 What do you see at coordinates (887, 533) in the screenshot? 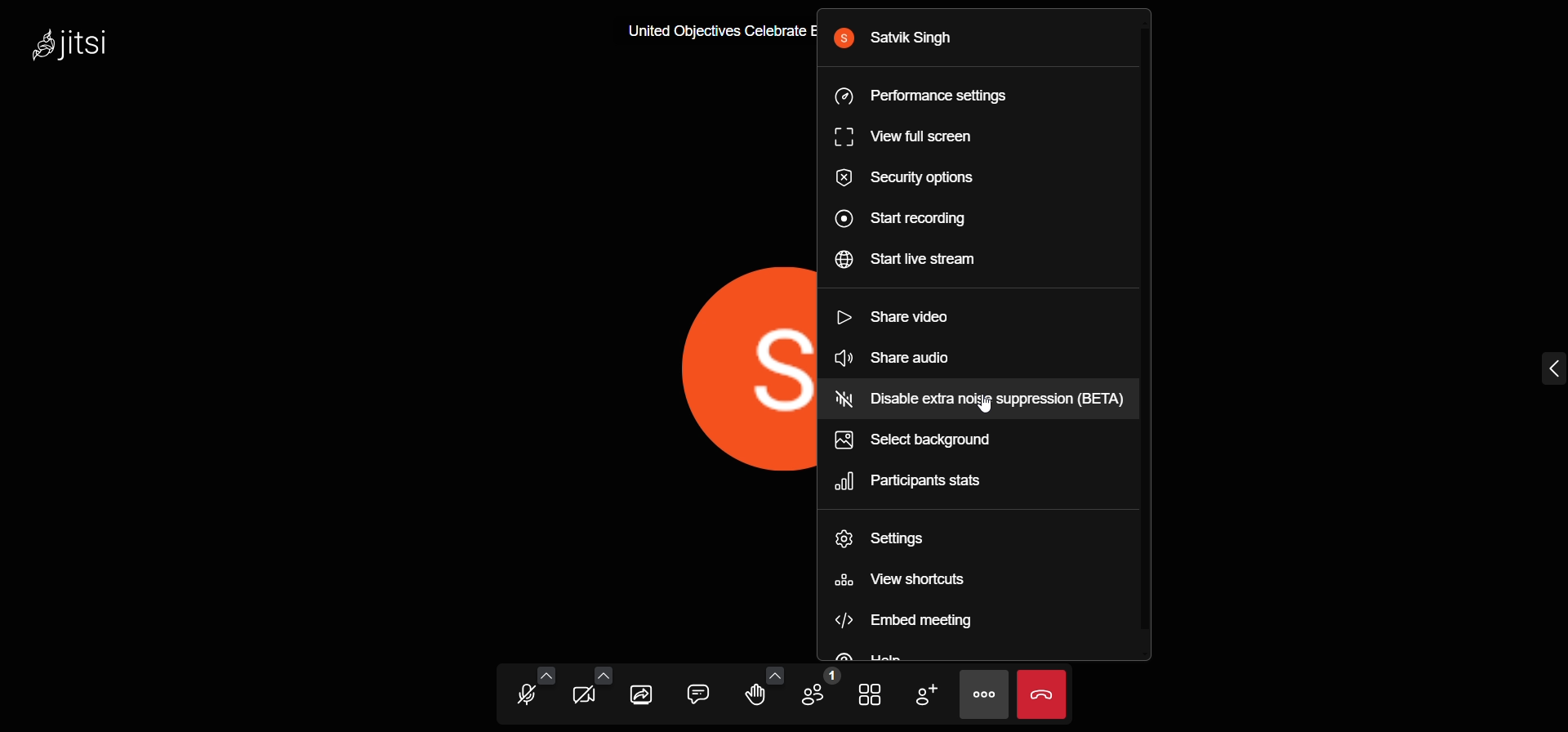
I see `setting` at bounding box center [887, 533].